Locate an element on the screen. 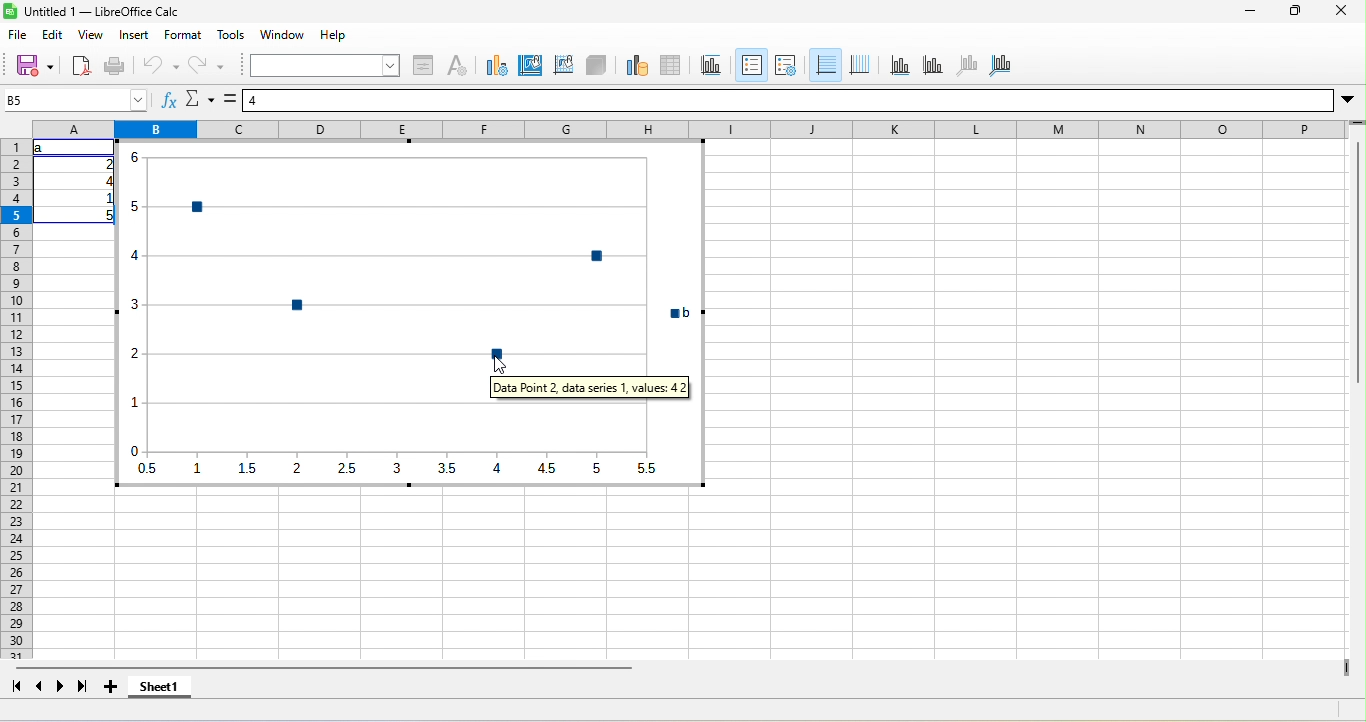 The image size is (1366, 722). select chart element is located at coordinates (326, 65).